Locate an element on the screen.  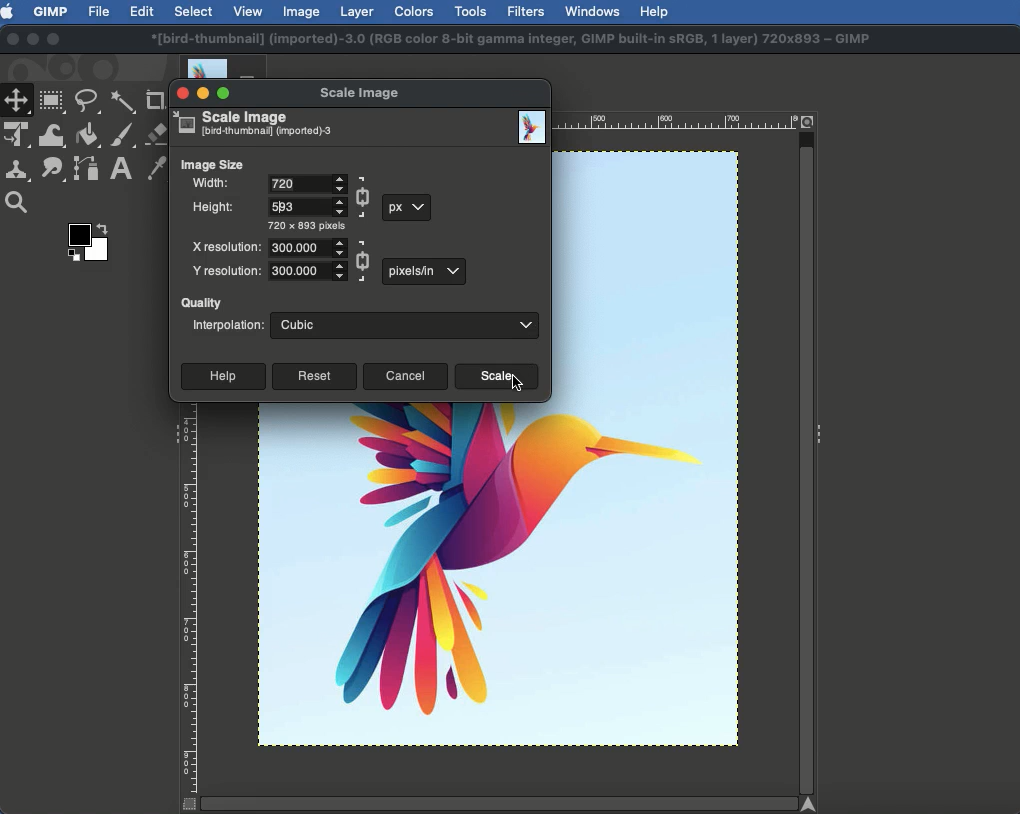
Help is located at coordinates (220, 376).